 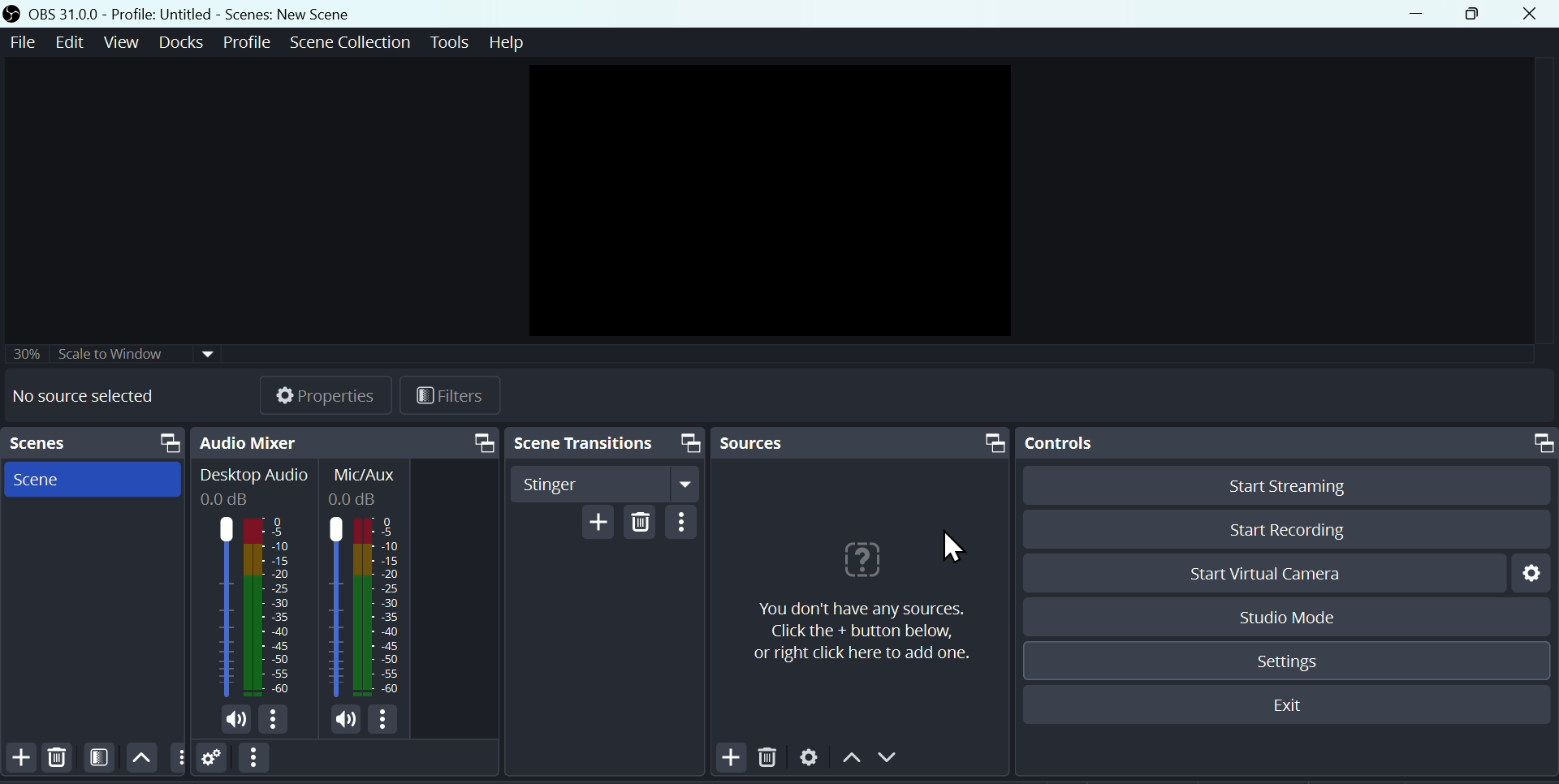 What do you see at coordinates (950, 545) in the screenshot?
I see `Cursor` at bounding box center [950, 545].